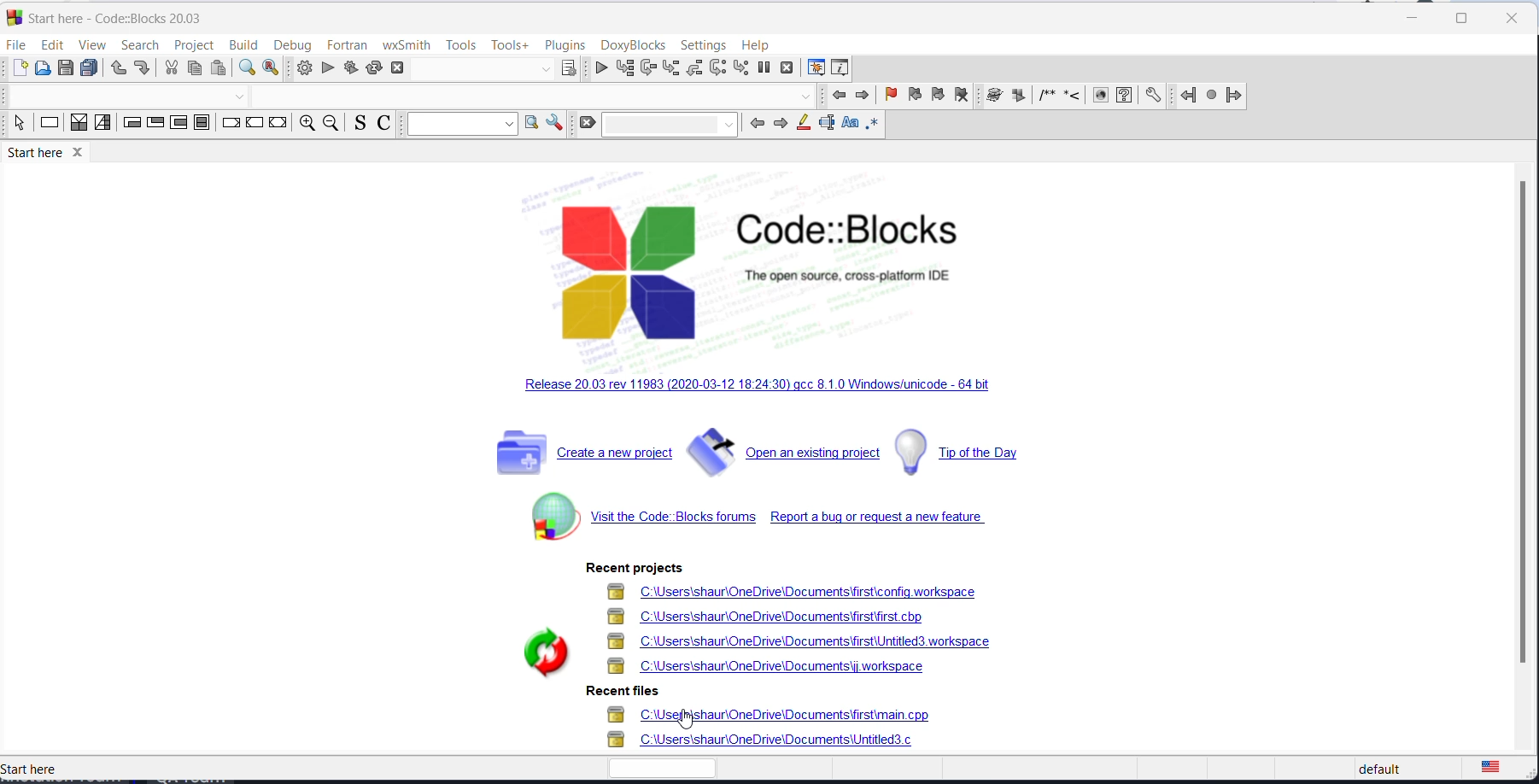 This screenshot has height=784, width=1539. I want to click on dropdown, so click(244, 97).